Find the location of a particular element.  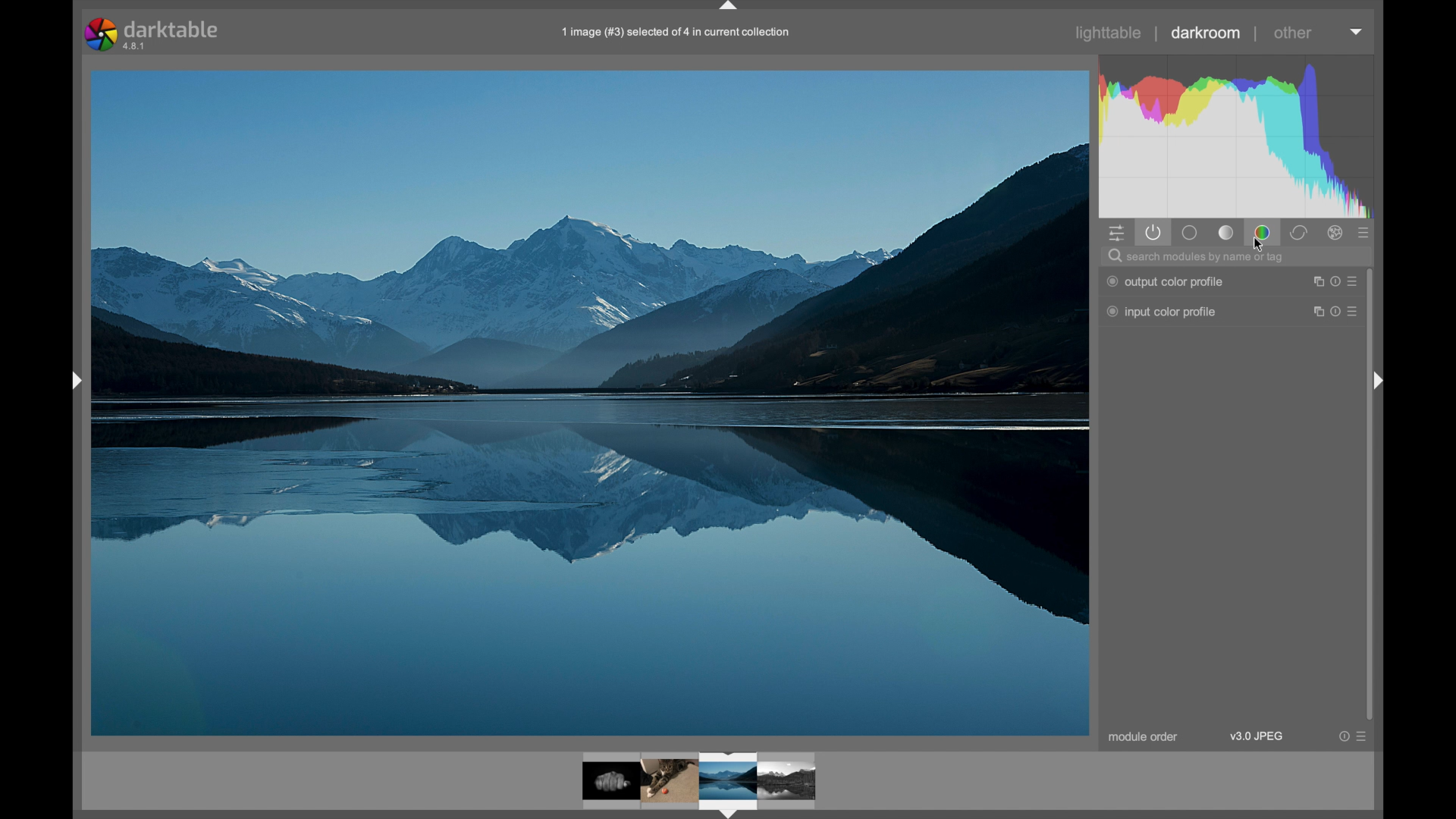

sidebar is located at coordinates (74, 381).